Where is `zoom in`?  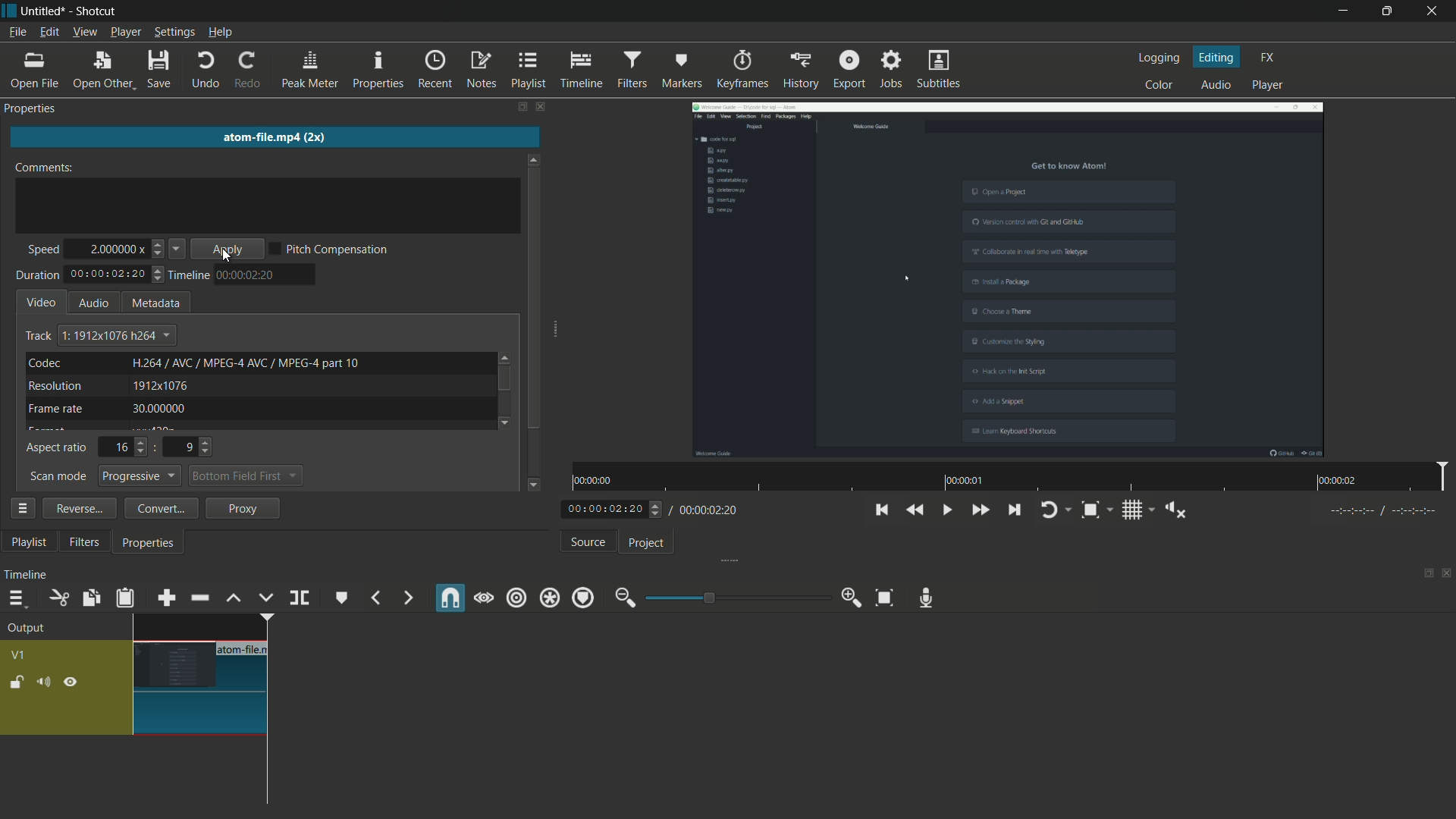
zoom in is located at coordinates (853, 597).